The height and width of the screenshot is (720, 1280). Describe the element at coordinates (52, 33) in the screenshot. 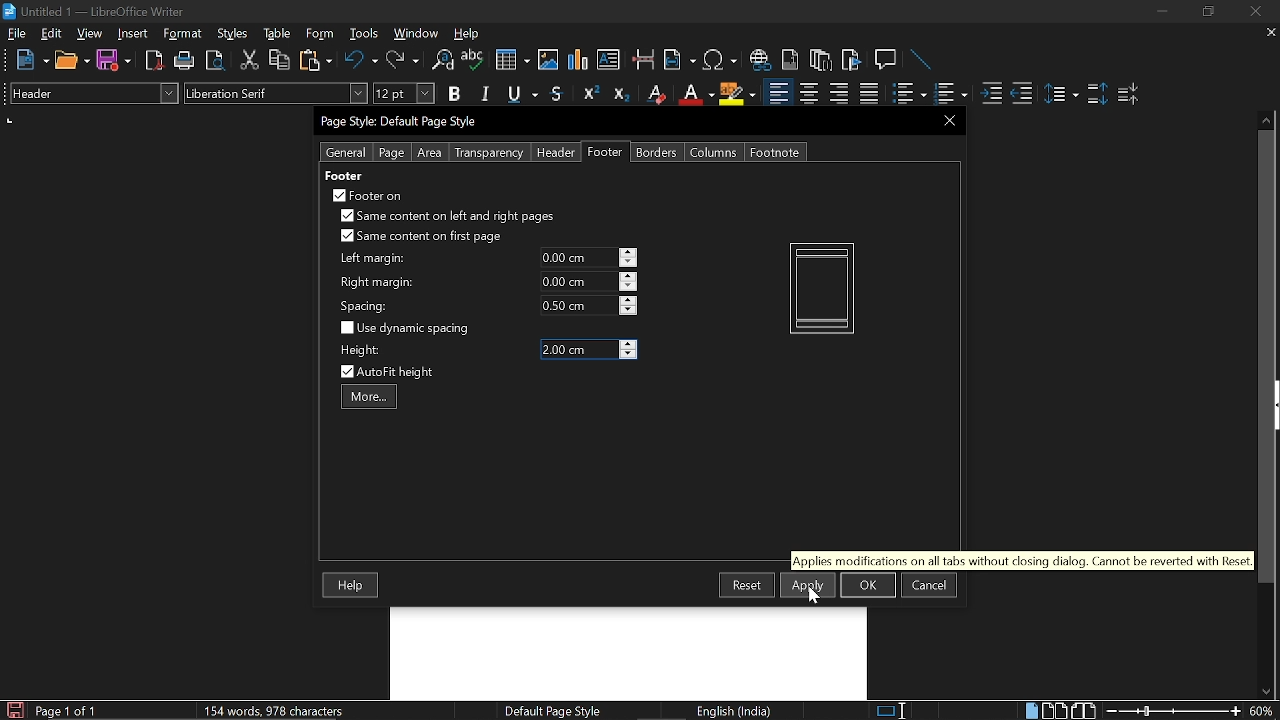

I see `Edit` at that location.